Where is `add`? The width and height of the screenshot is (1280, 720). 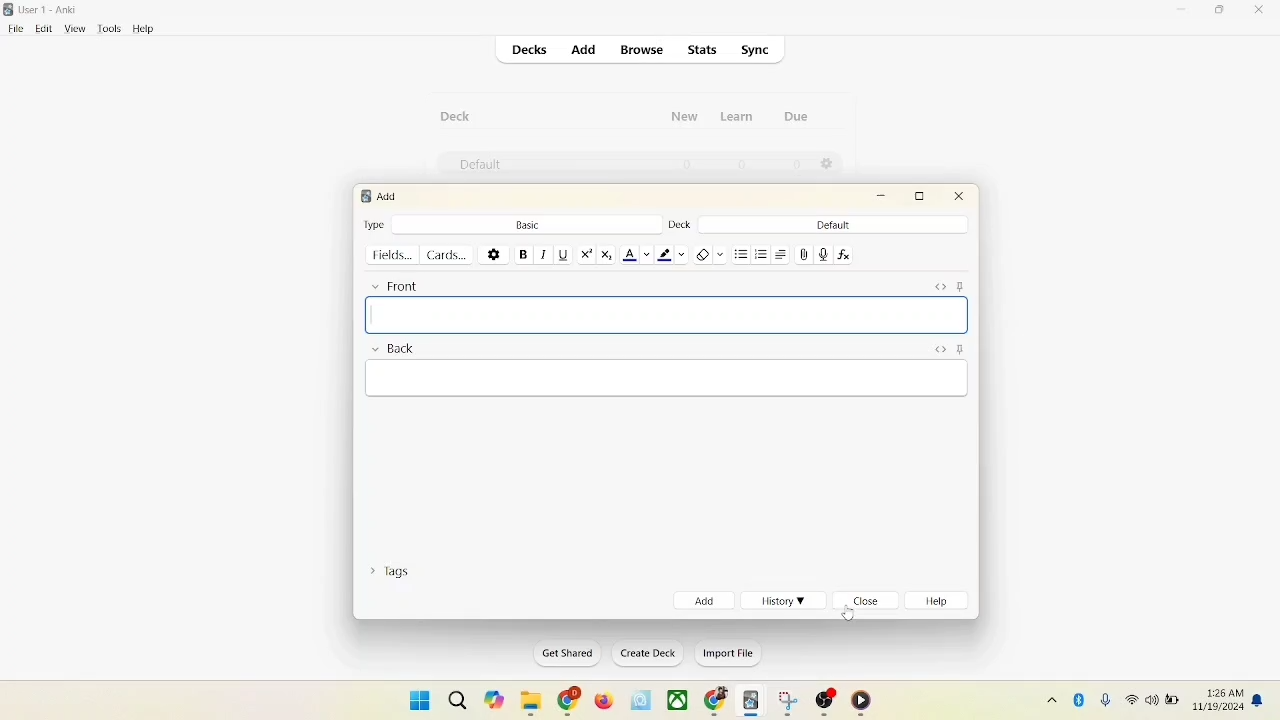
add is located at coordinates (389, 196).